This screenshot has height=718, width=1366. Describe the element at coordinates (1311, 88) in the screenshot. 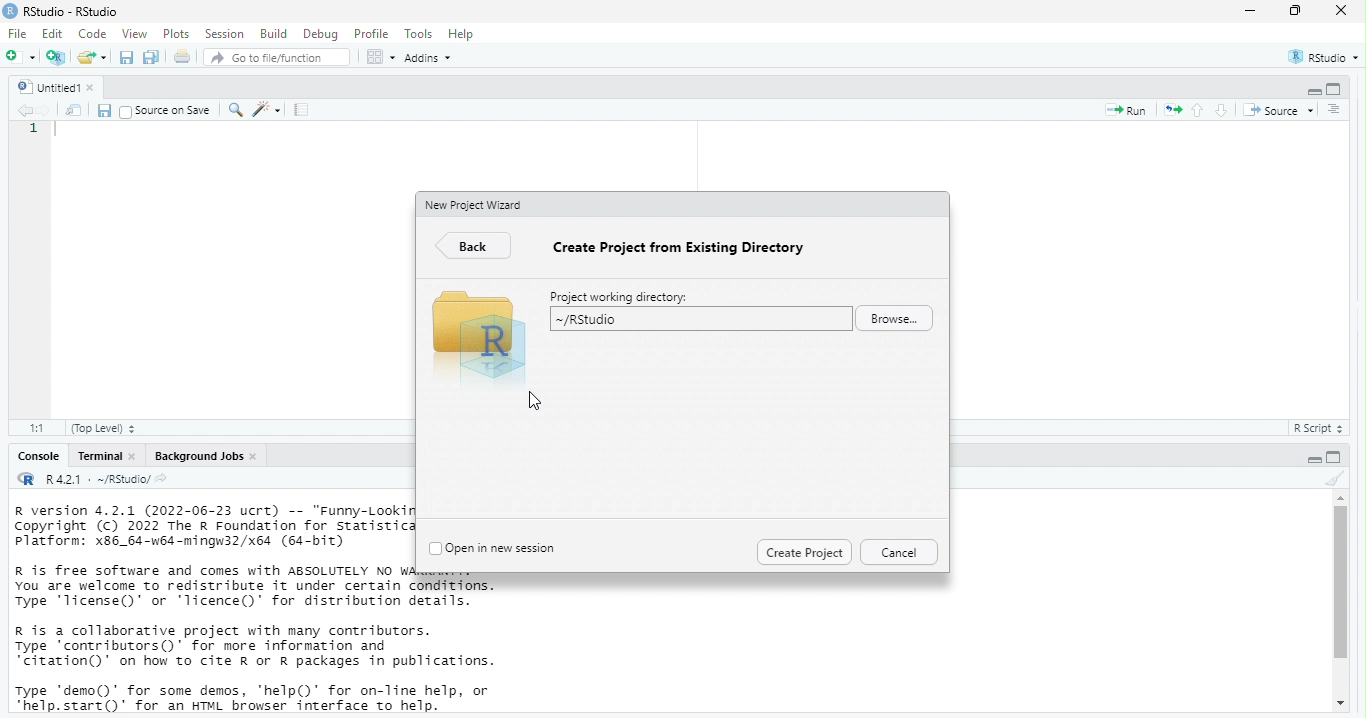

I see `minimize` at that location.